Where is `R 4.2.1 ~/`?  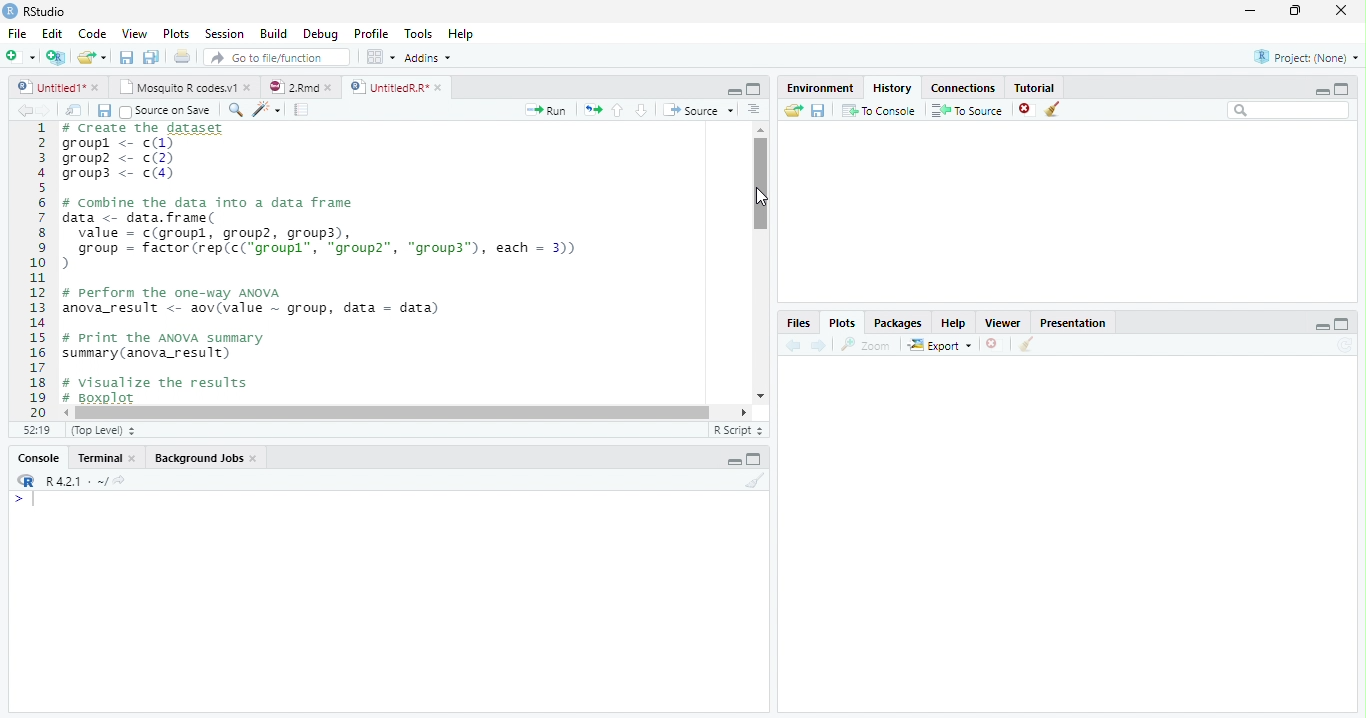 R 4.2.1 ~/ is located at coordinates (77, 481).